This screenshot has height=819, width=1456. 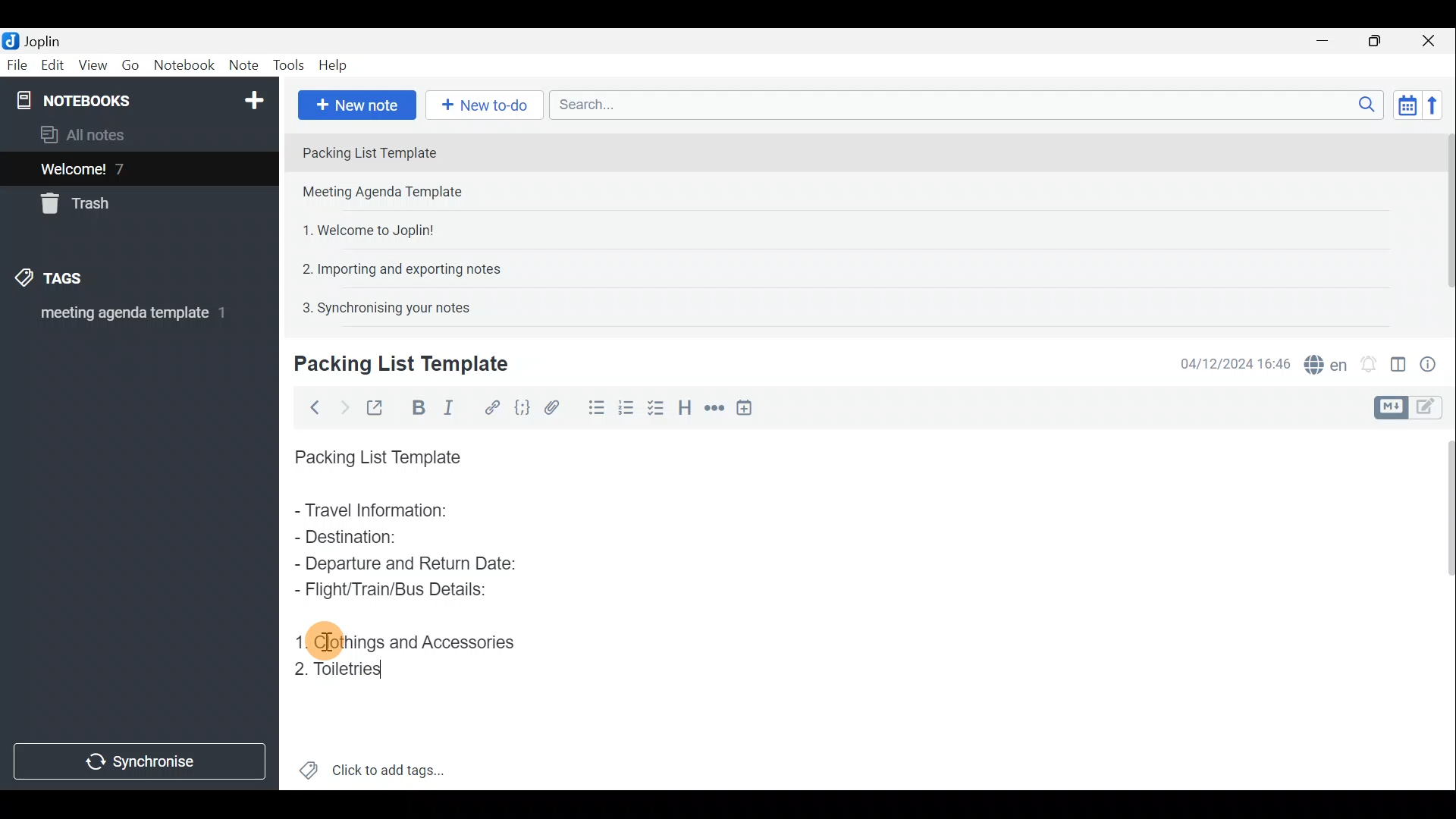 I want to click on New to-do, so click(x=485, y=105).